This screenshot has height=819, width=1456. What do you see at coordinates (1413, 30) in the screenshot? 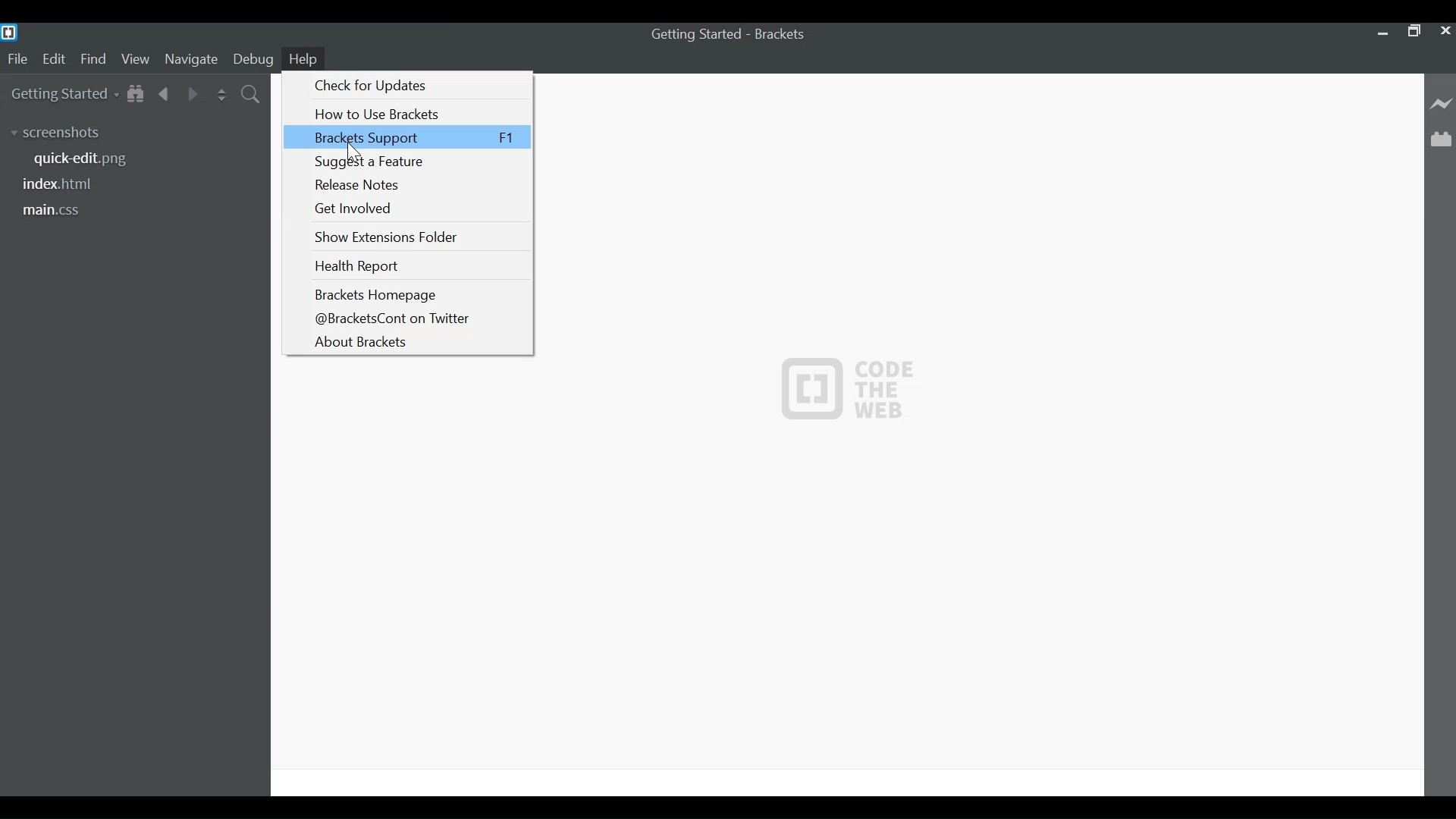
I see `Restore` at bounding box center [1413, 30].